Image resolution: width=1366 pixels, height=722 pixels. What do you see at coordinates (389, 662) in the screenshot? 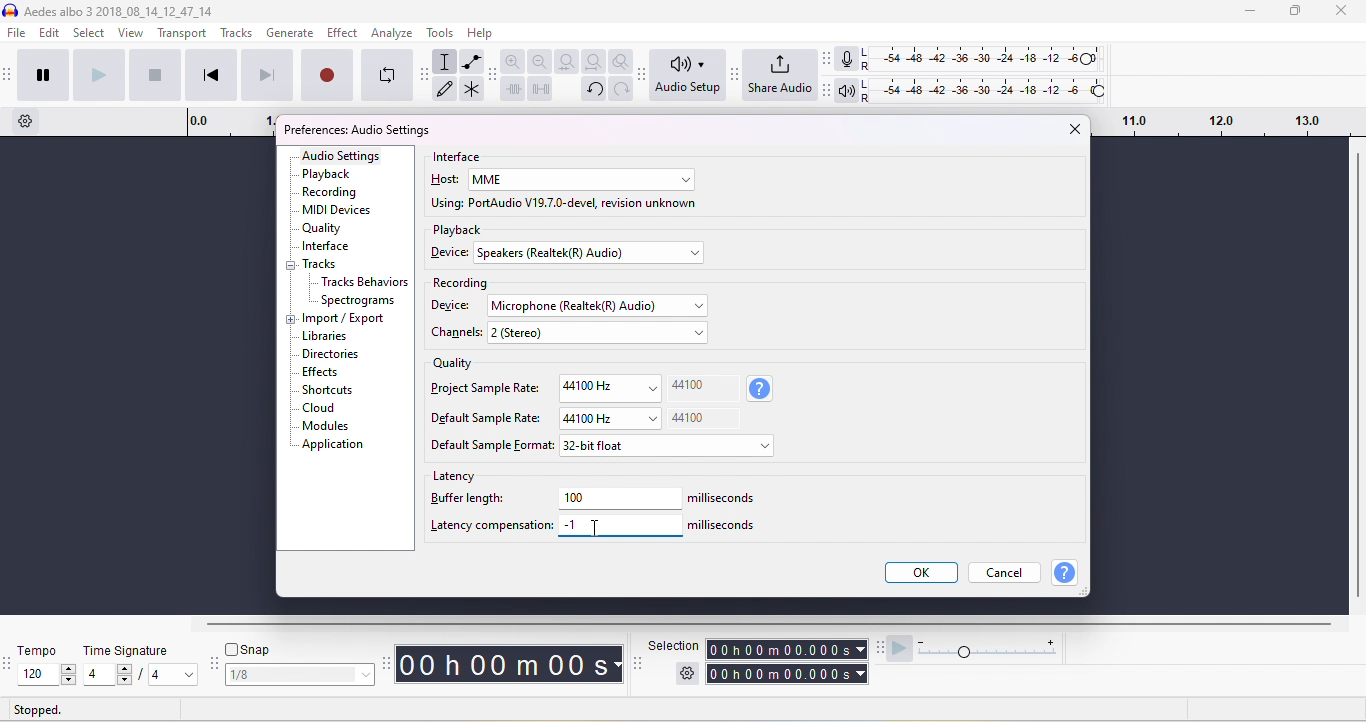
I see `audacity time tool bar` at bounding box center [389, 662].